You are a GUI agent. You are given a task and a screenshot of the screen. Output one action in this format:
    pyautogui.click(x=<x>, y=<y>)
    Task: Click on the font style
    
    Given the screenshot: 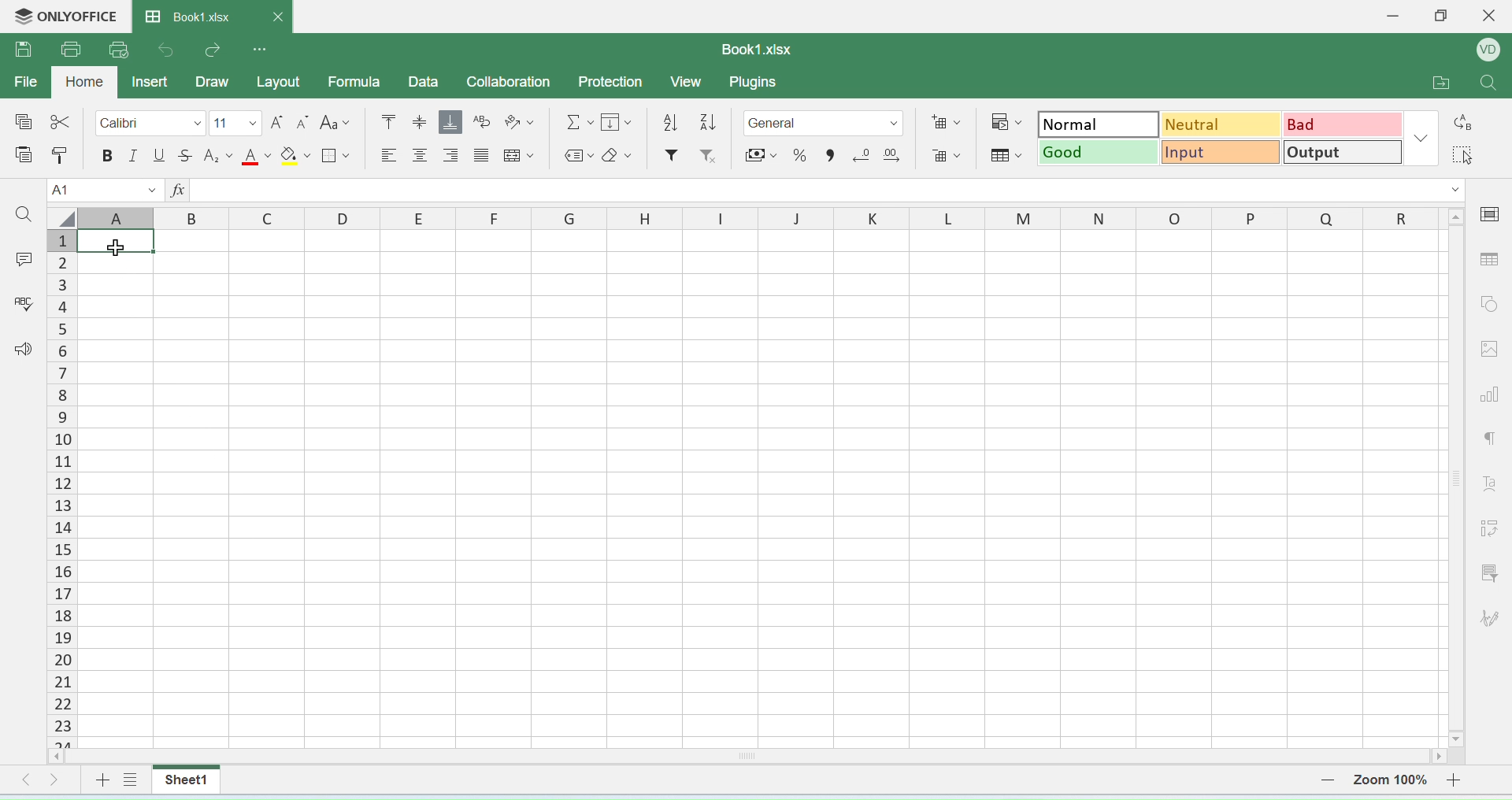 What is the action you would take?
    pyautogui.click(x=1488, y=487)
    